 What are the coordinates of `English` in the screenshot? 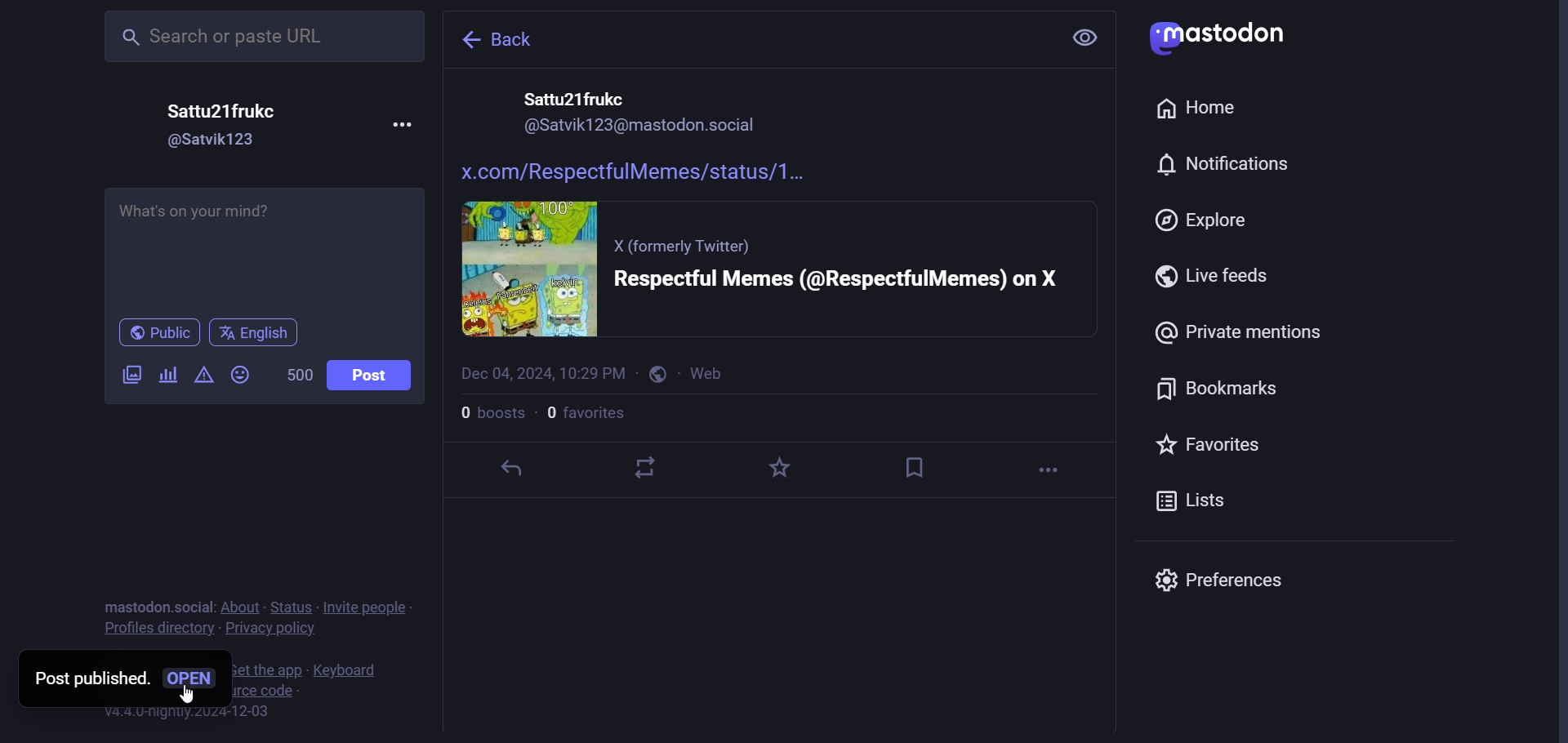 It's located at (256, 334).